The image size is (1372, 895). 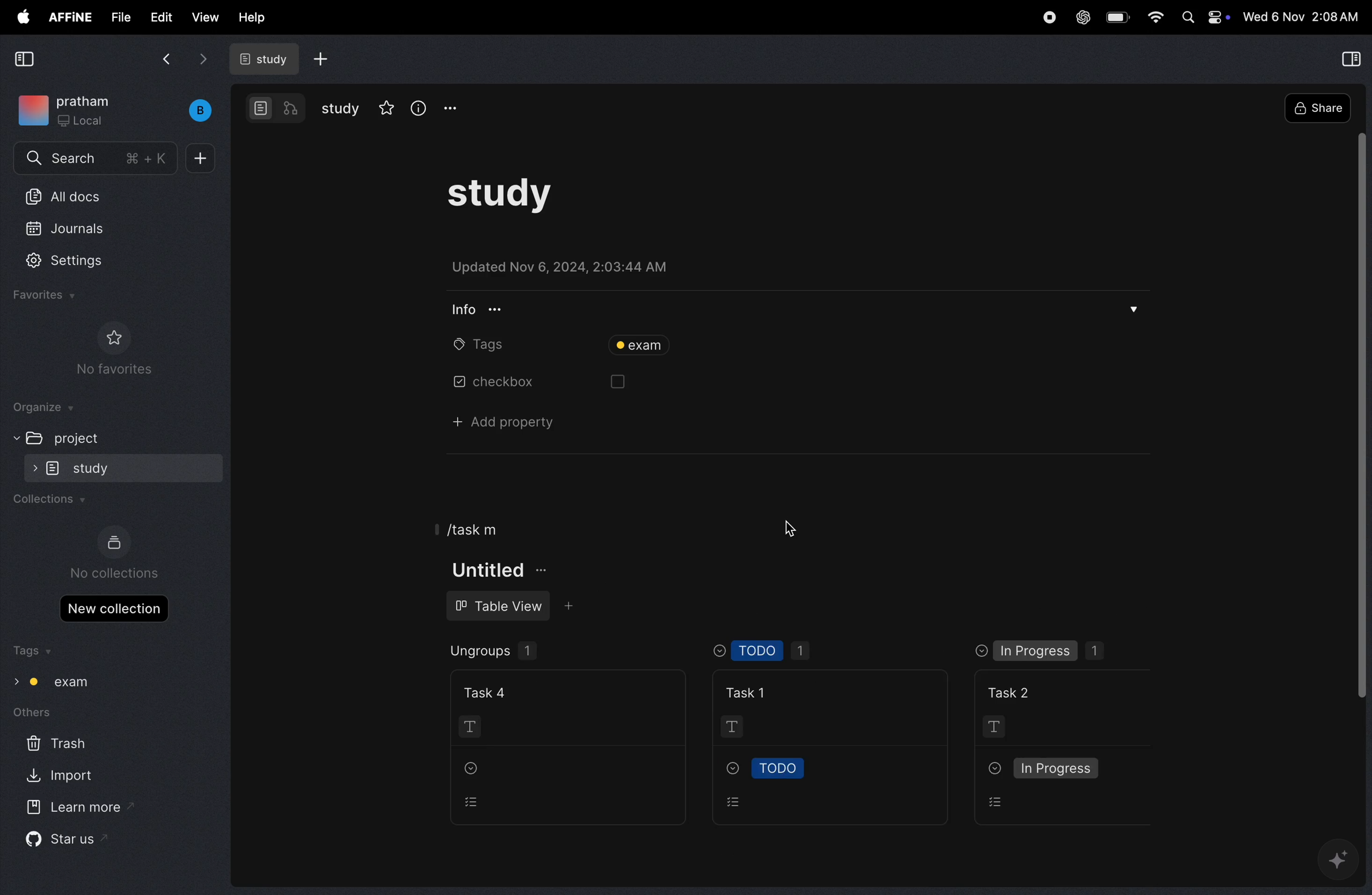 I want to click on collapse view, so click(x=1351, y=57).